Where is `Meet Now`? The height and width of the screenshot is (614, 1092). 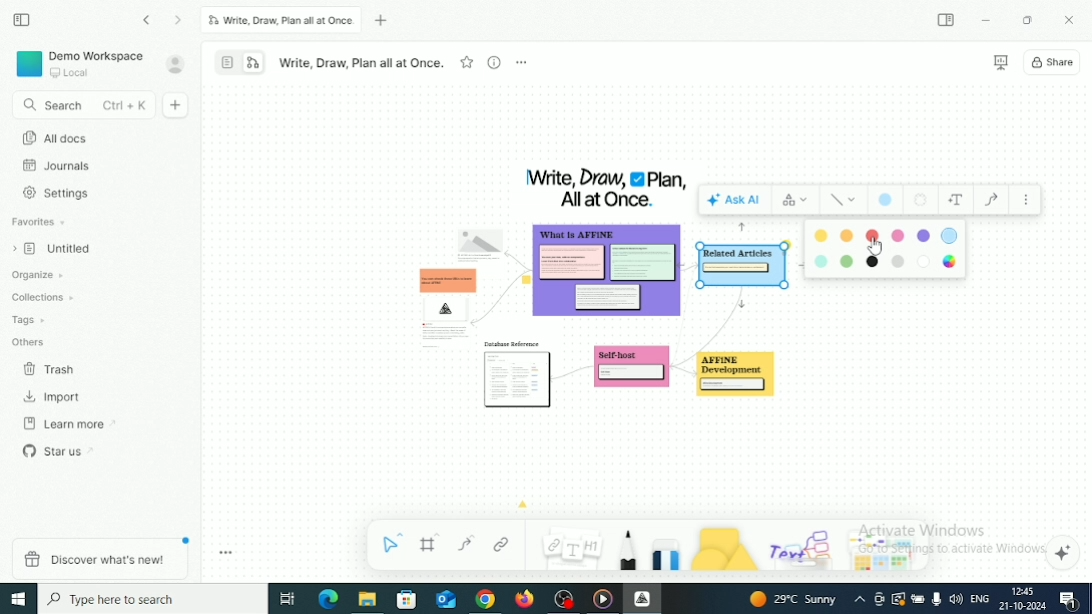
Meet Now is located at coordinates (880, 599).